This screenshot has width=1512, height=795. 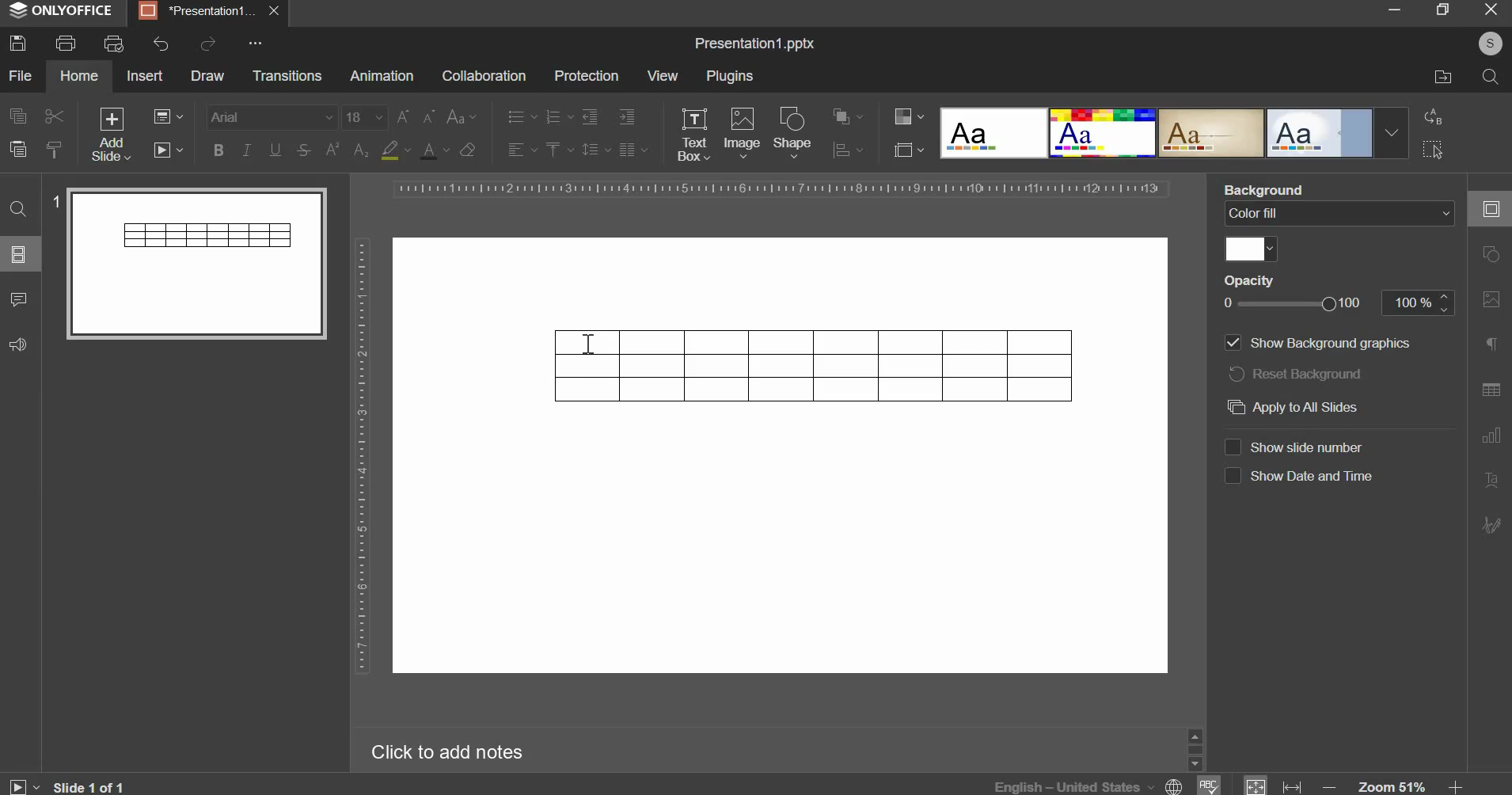 I want to click on horizontal alignment, so click(x=521, y=150).